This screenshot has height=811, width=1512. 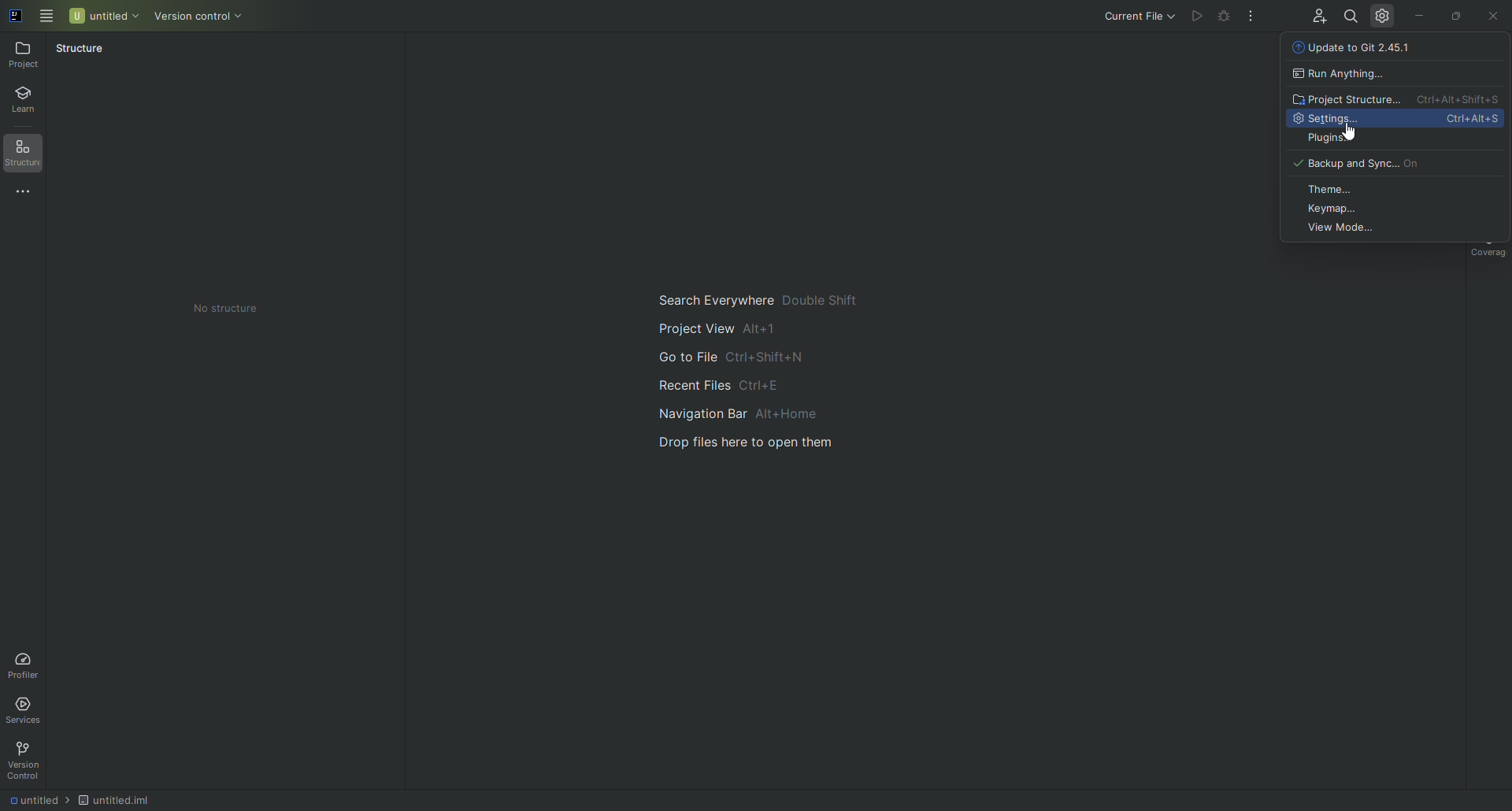 I want to click on Updates and Settings, so click(x=1385, y=20).